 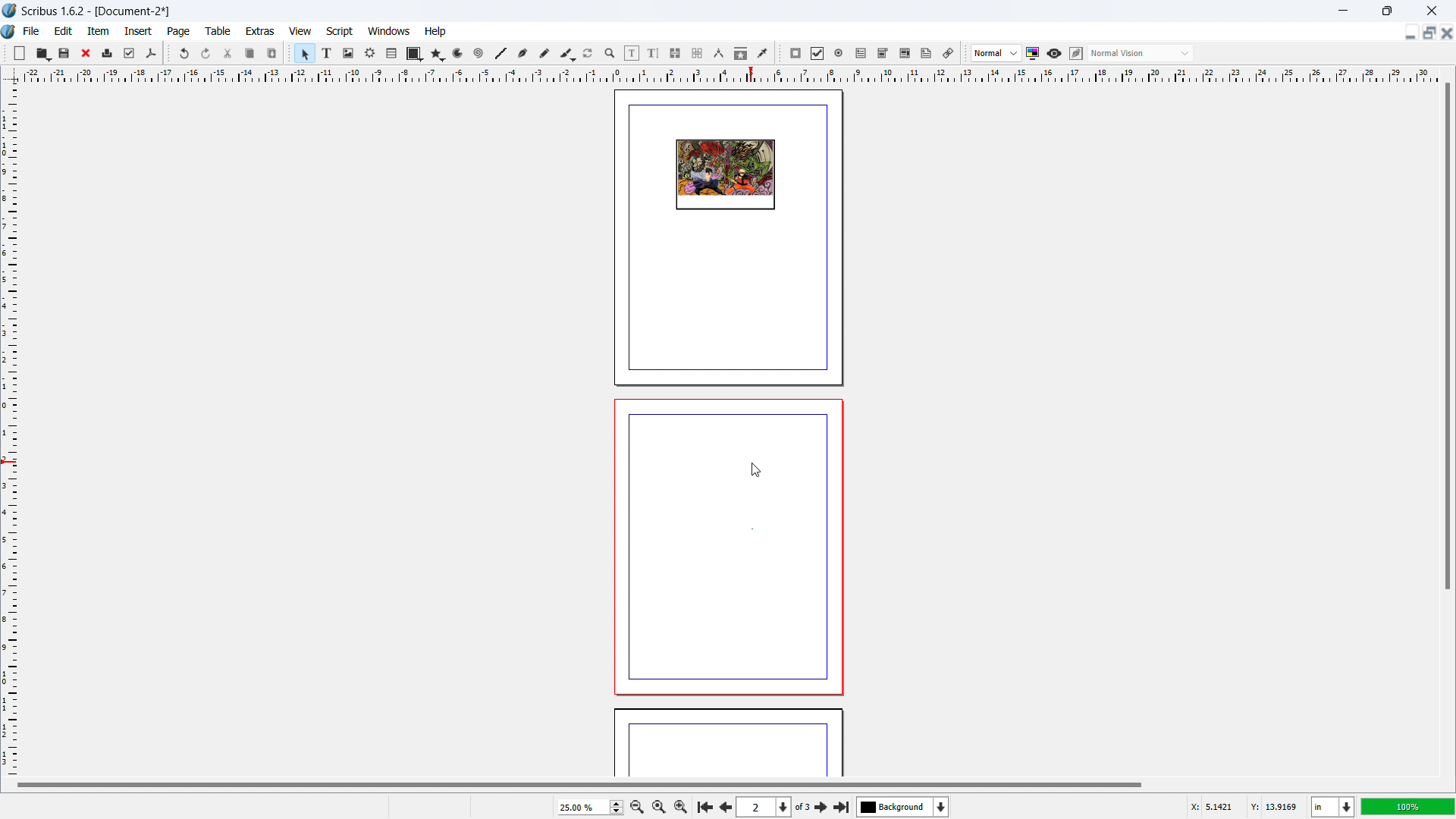 I want to click on pdf radio button, so click(x=839, y=52).